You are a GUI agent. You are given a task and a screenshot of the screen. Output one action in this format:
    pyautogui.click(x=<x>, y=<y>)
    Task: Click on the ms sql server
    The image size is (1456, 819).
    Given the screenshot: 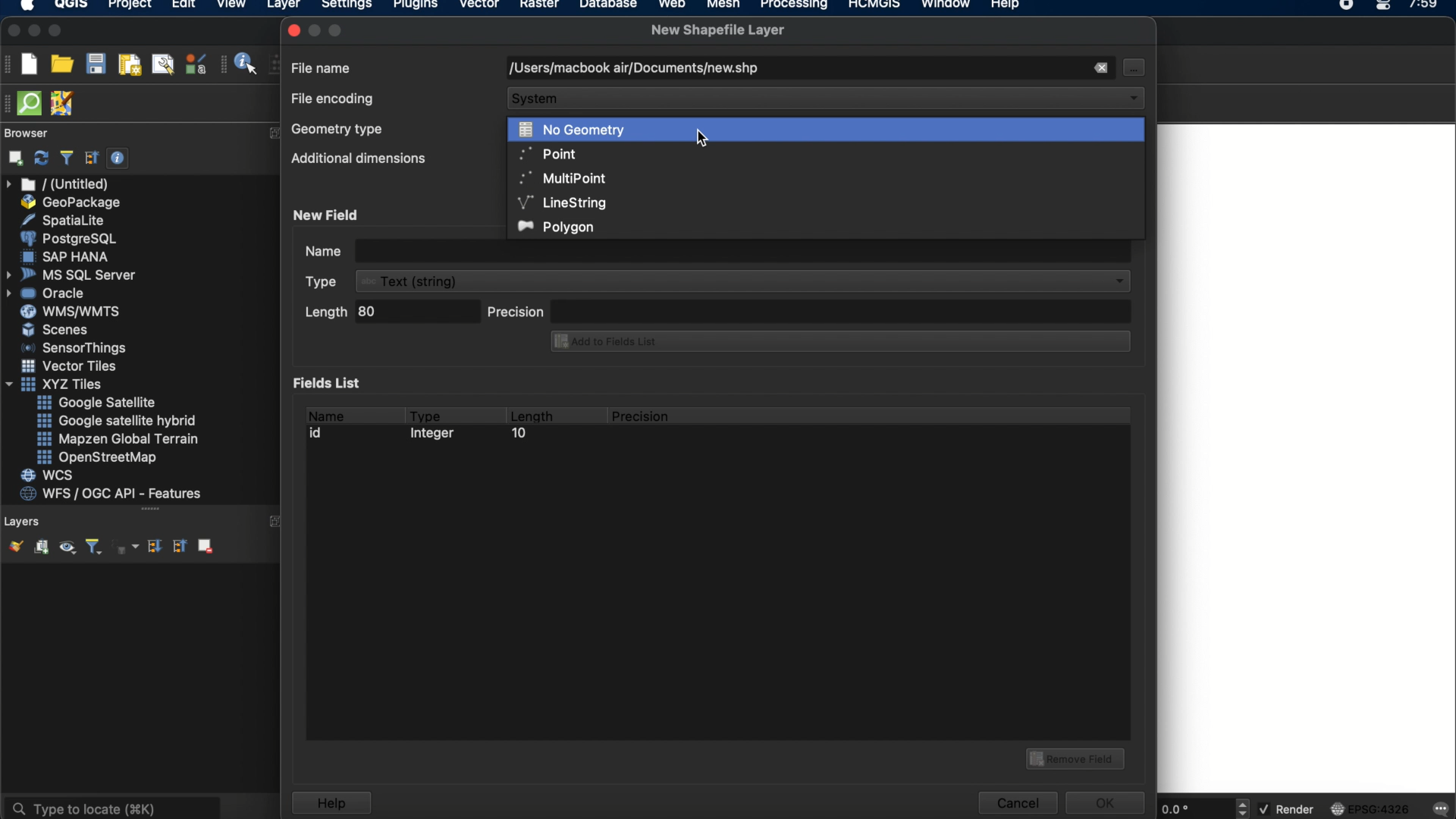 What is the action you would take?
    pyautogui.click(x=74, y=274)
    